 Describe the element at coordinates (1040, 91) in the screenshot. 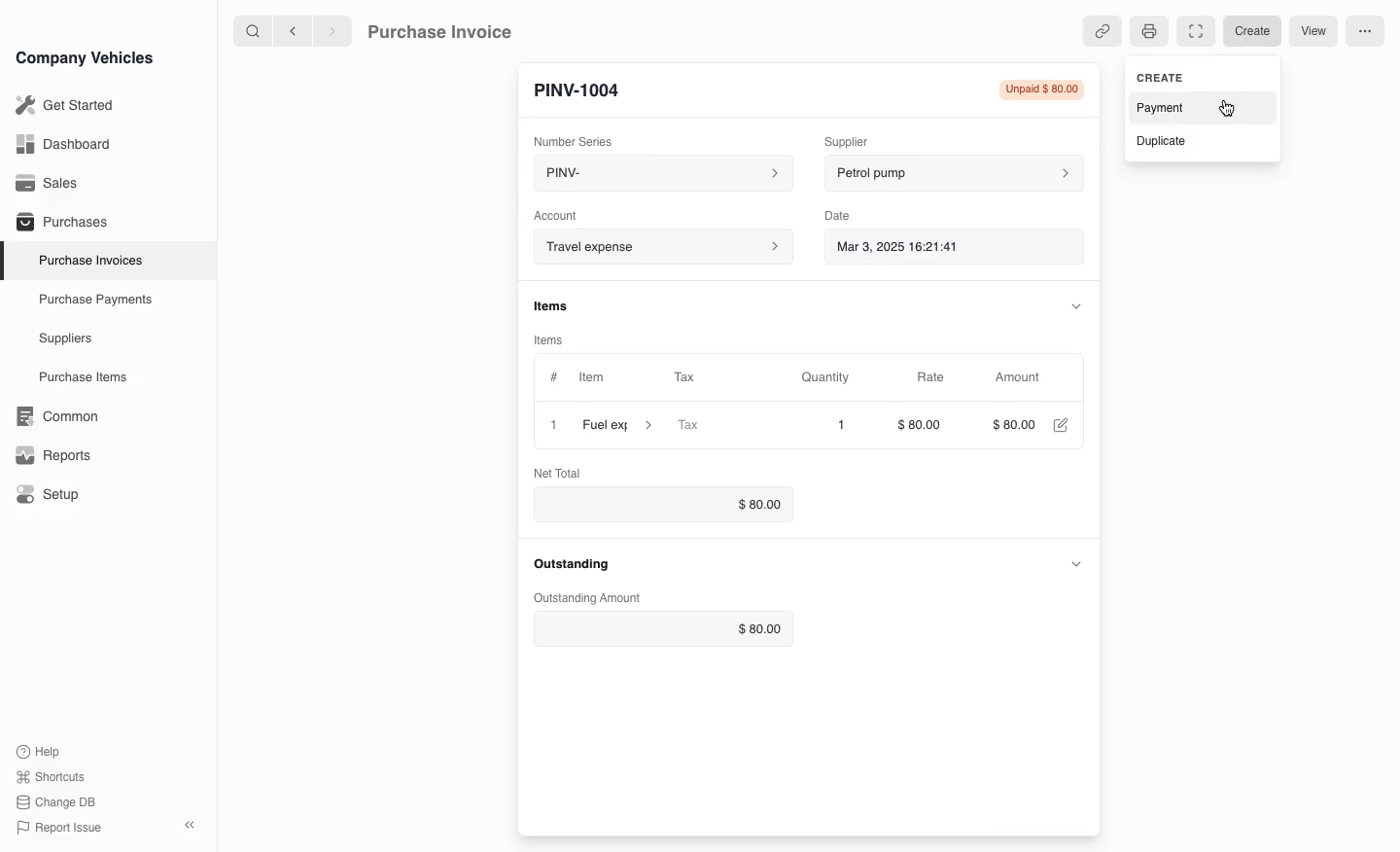

I see `not submitted` at that location.